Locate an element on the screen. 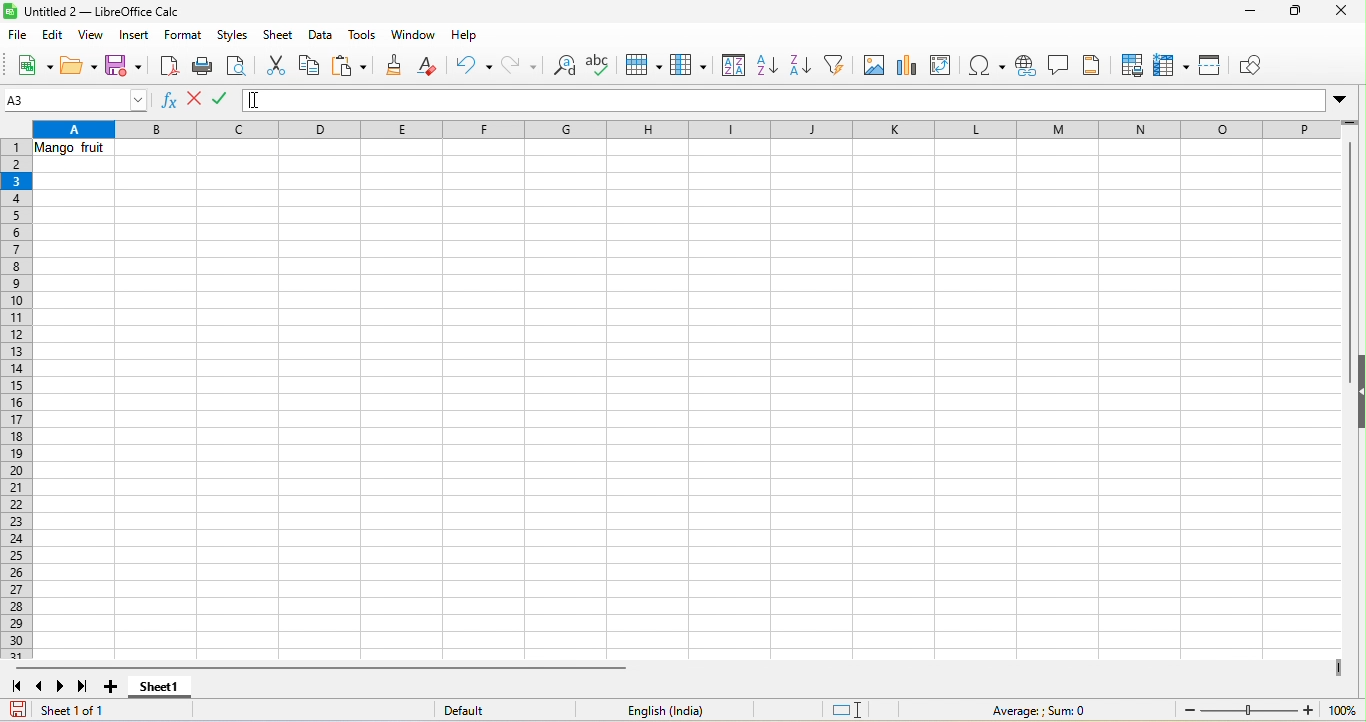  drag to view next columns is located at coordinates (1341, 668).